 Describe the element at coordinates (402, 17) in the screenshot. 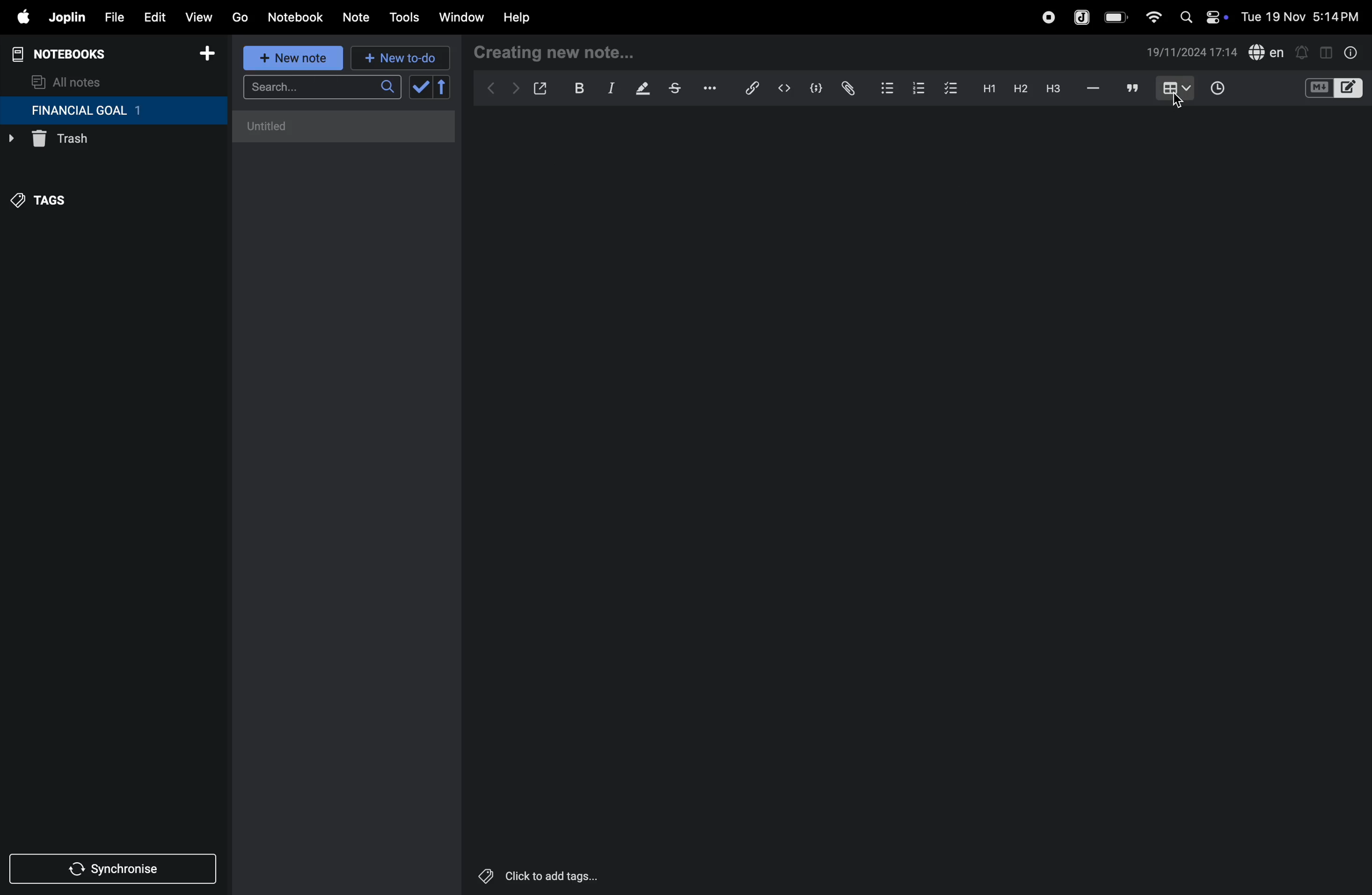

I see `tools` at that location.